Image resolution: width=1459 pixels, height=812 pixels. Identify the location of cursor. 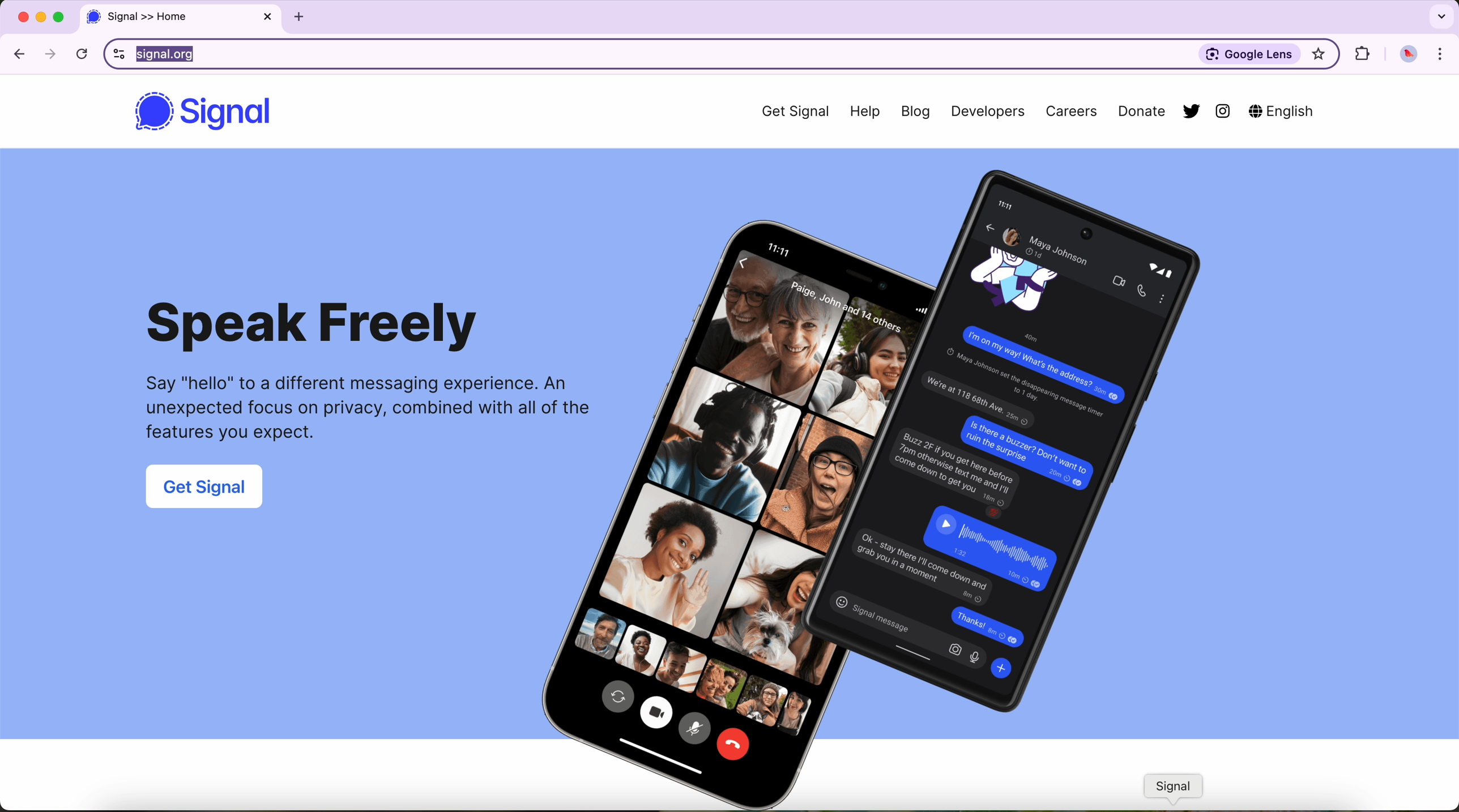
(194, 62).